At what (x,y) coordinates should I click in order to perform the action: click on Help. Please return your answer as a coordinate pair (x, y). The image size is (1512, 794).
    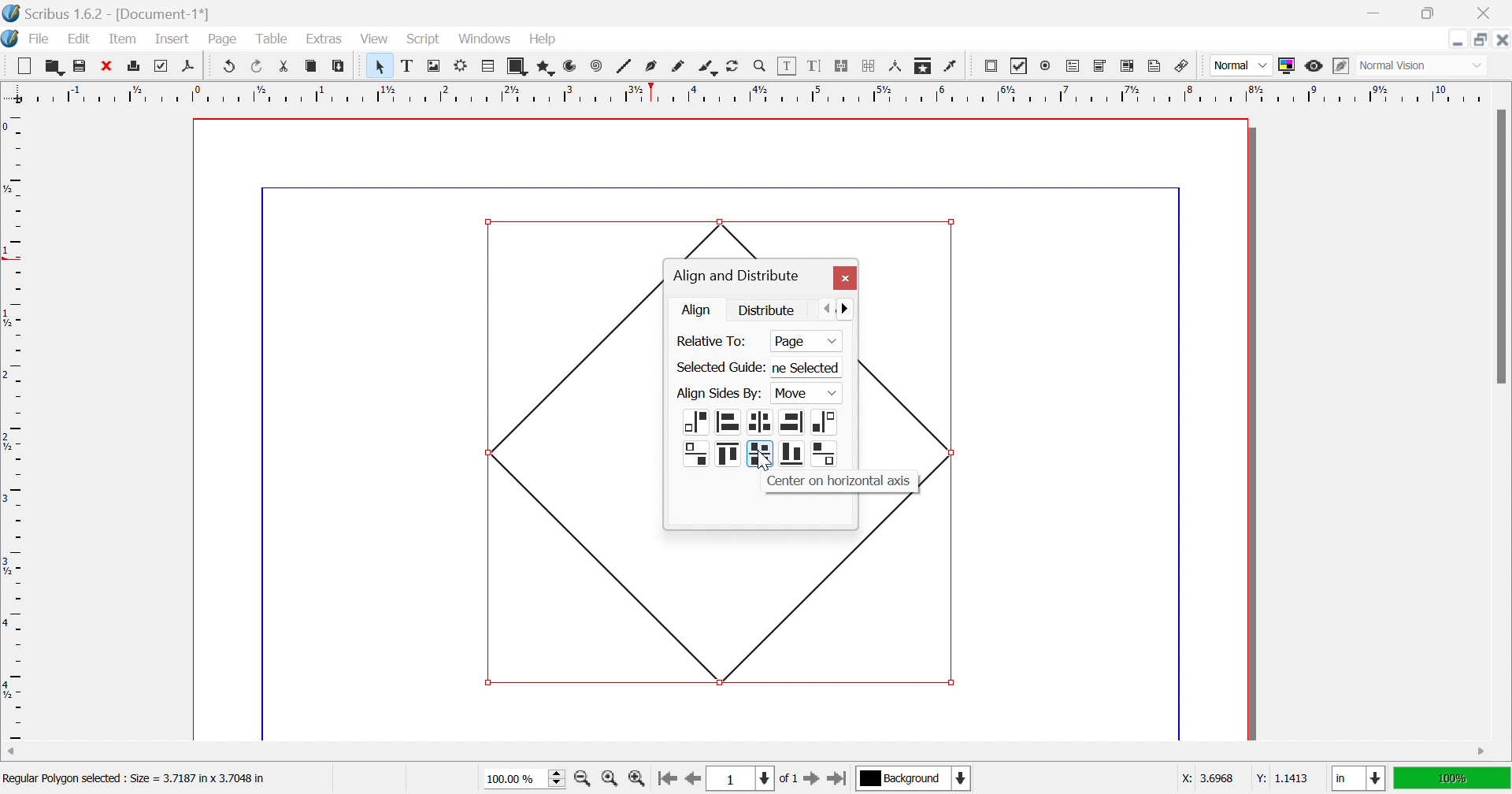
    Looking at the image, I should click on (543, 39).